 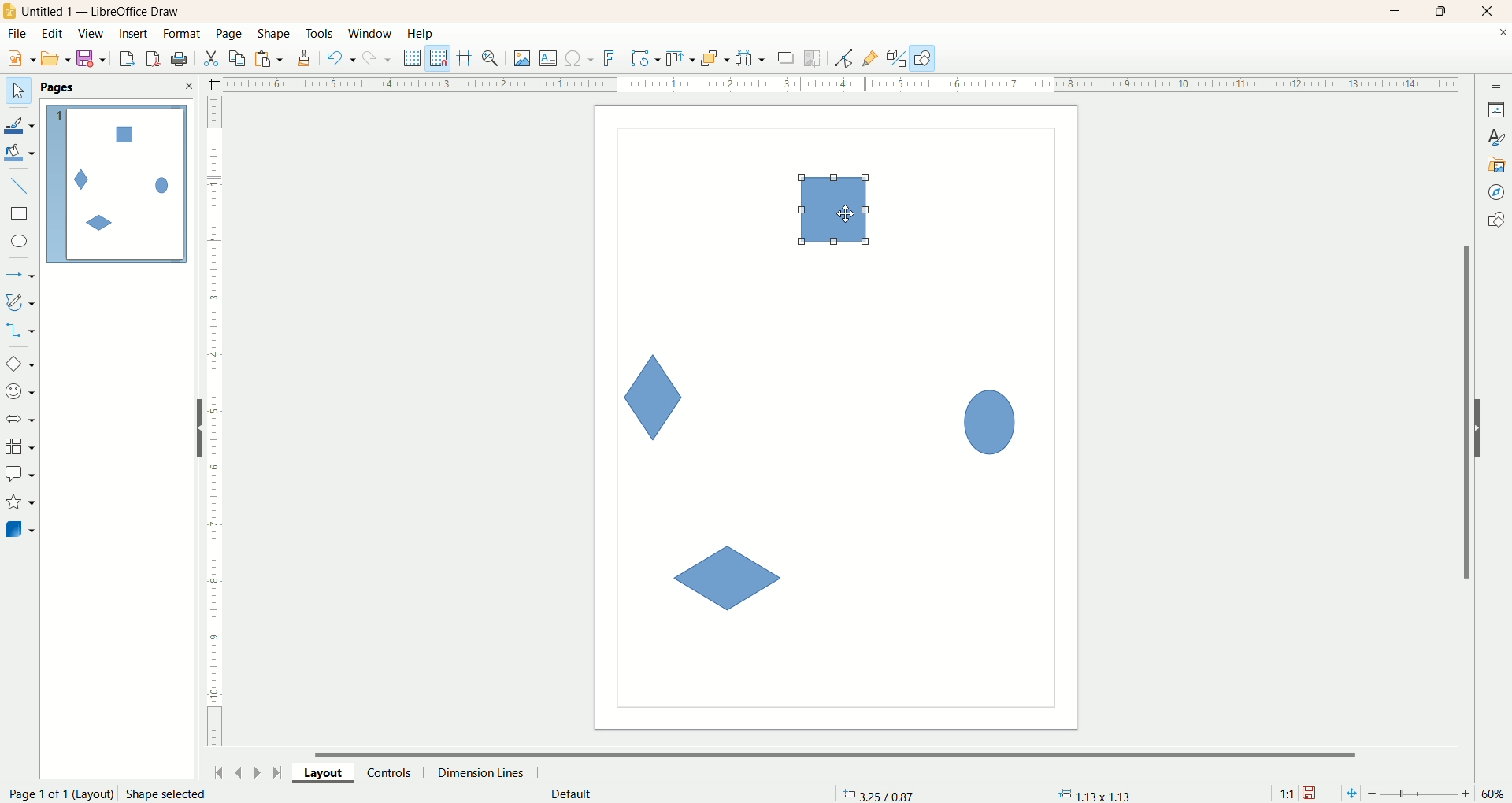 What do you see at coordinates (126, 56) in the screenshot?
I see `export` at bounding box center [126, 56].